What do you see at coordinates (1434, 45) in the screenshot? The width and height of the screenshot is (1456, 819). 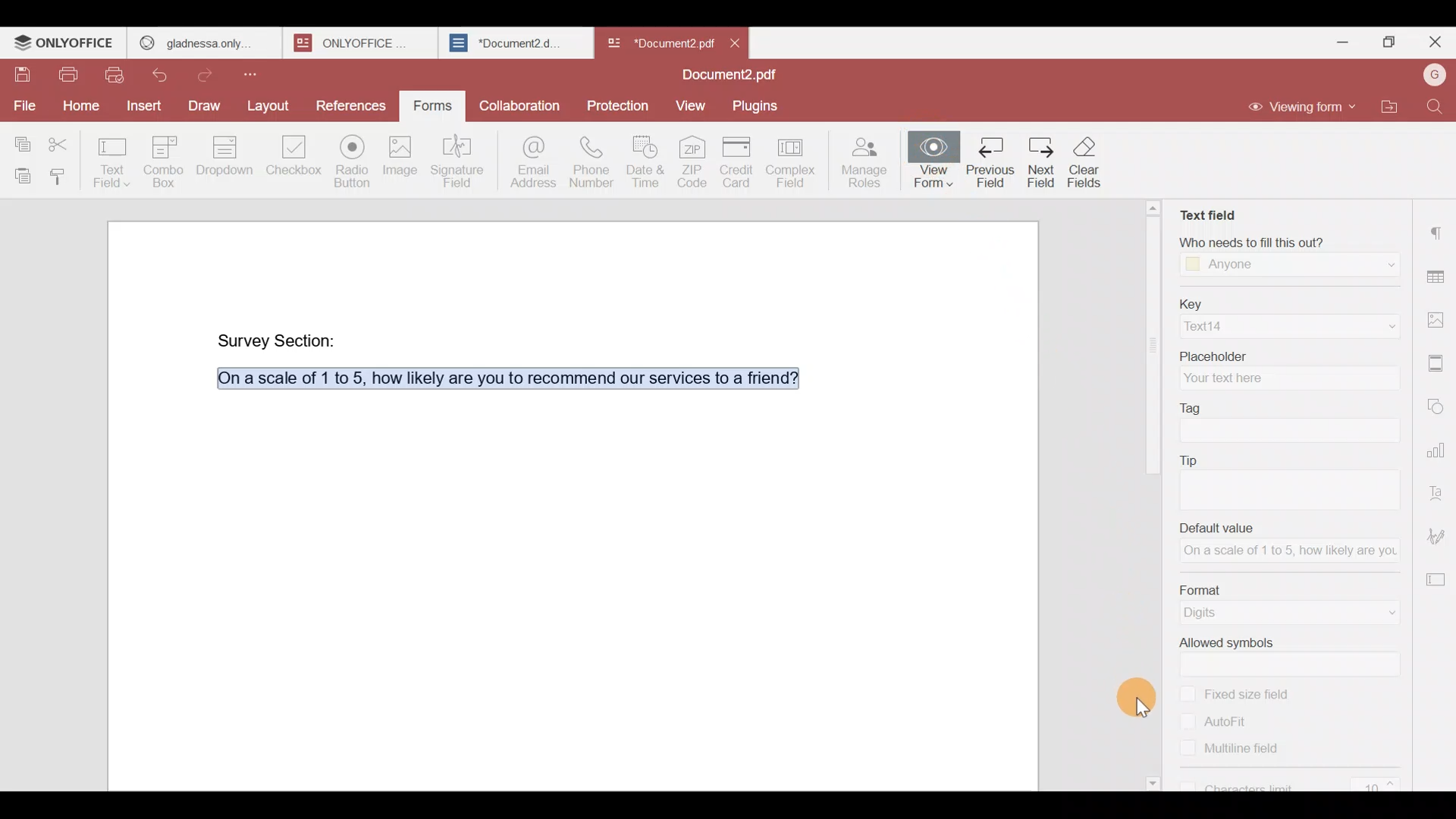 I see `Close` at bounding box center [1434, 45].